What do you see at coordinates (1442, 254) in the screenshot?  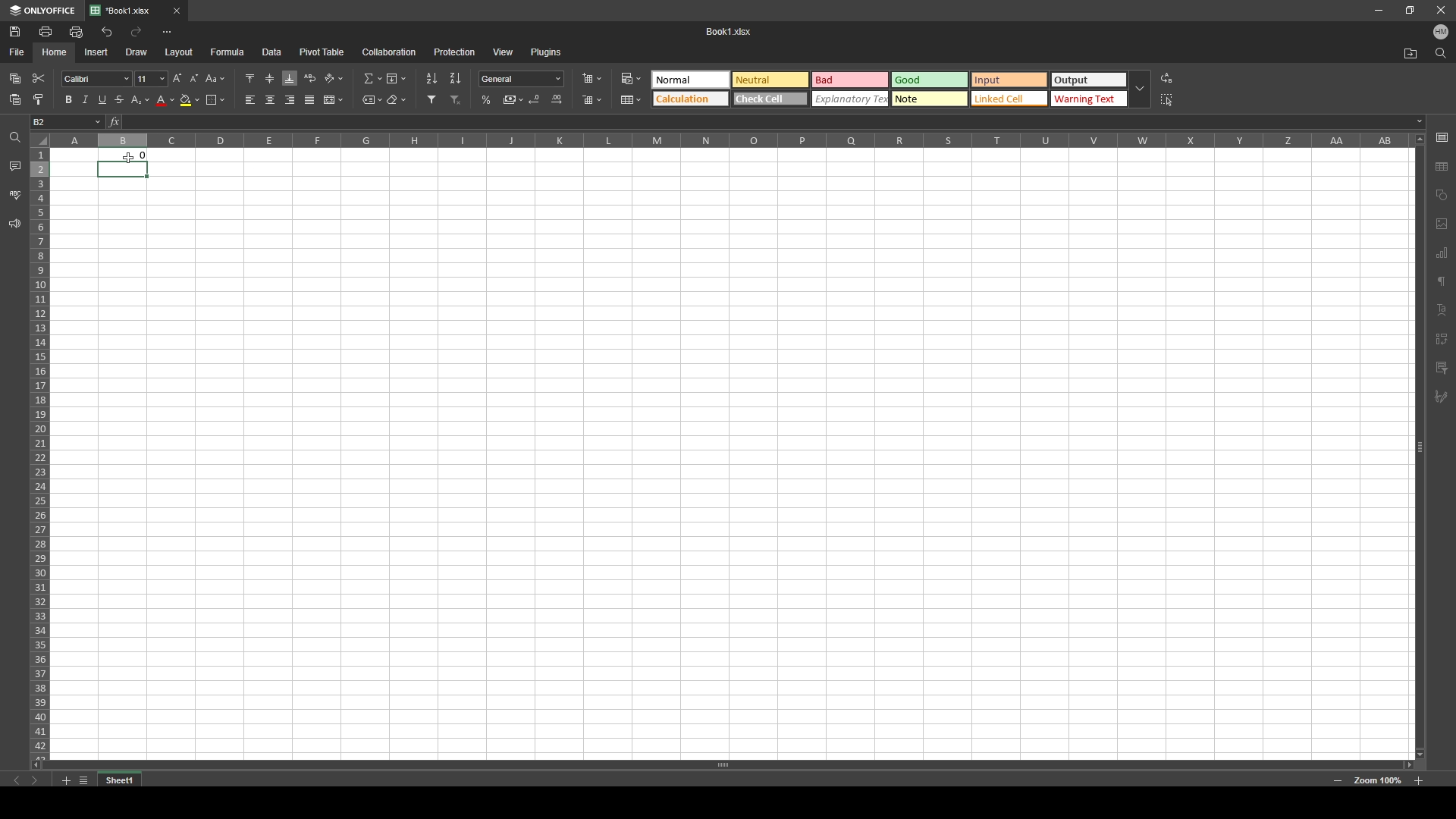 I see `chart` at bounding box center [1442, 254].